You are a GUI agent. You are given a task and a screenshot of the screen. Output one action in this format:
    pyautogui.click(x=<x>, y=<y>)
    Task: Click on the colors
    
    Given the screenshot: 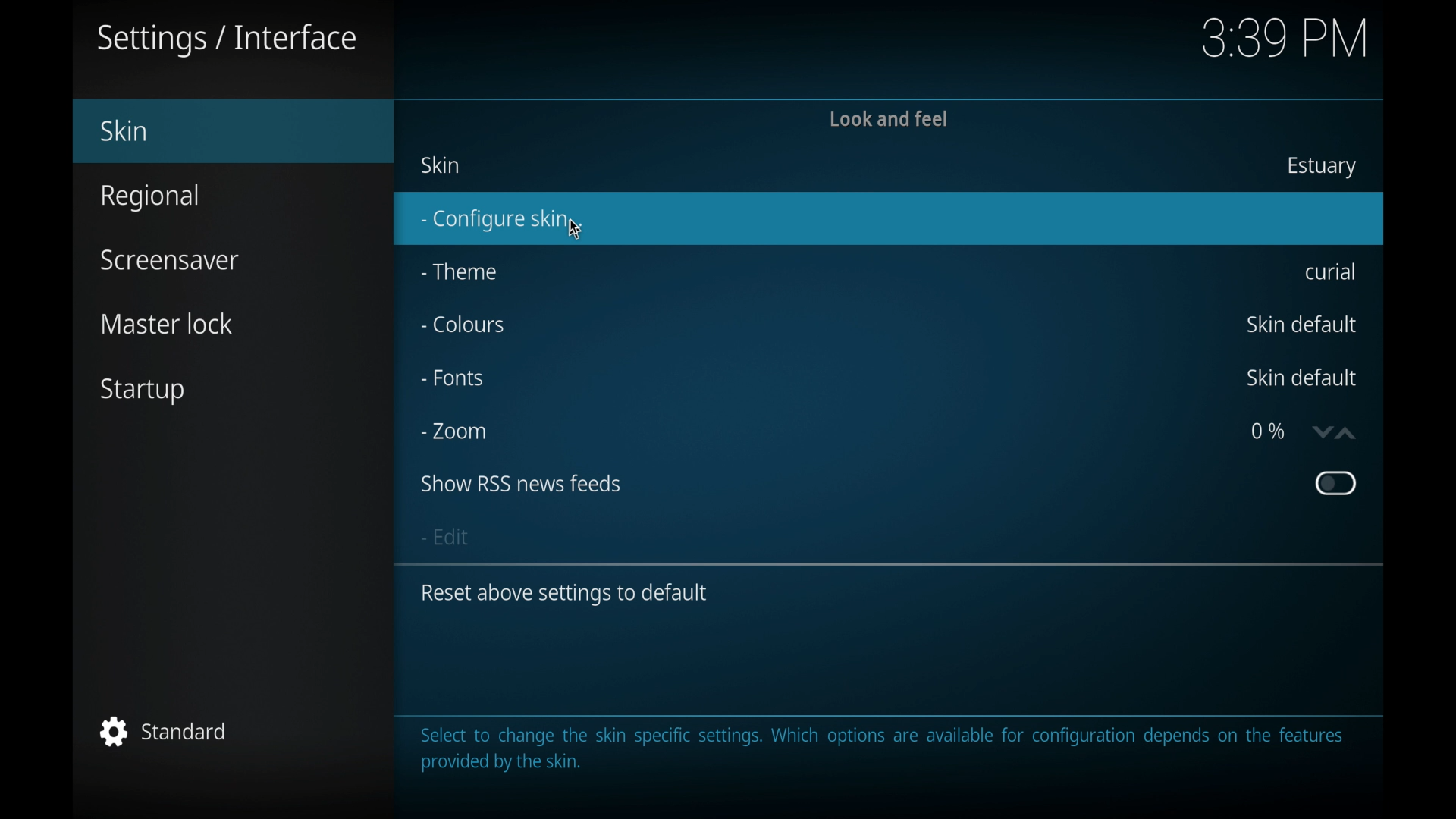 What is the action you would take?
    pyautogui.click(x=460, y=324)
    